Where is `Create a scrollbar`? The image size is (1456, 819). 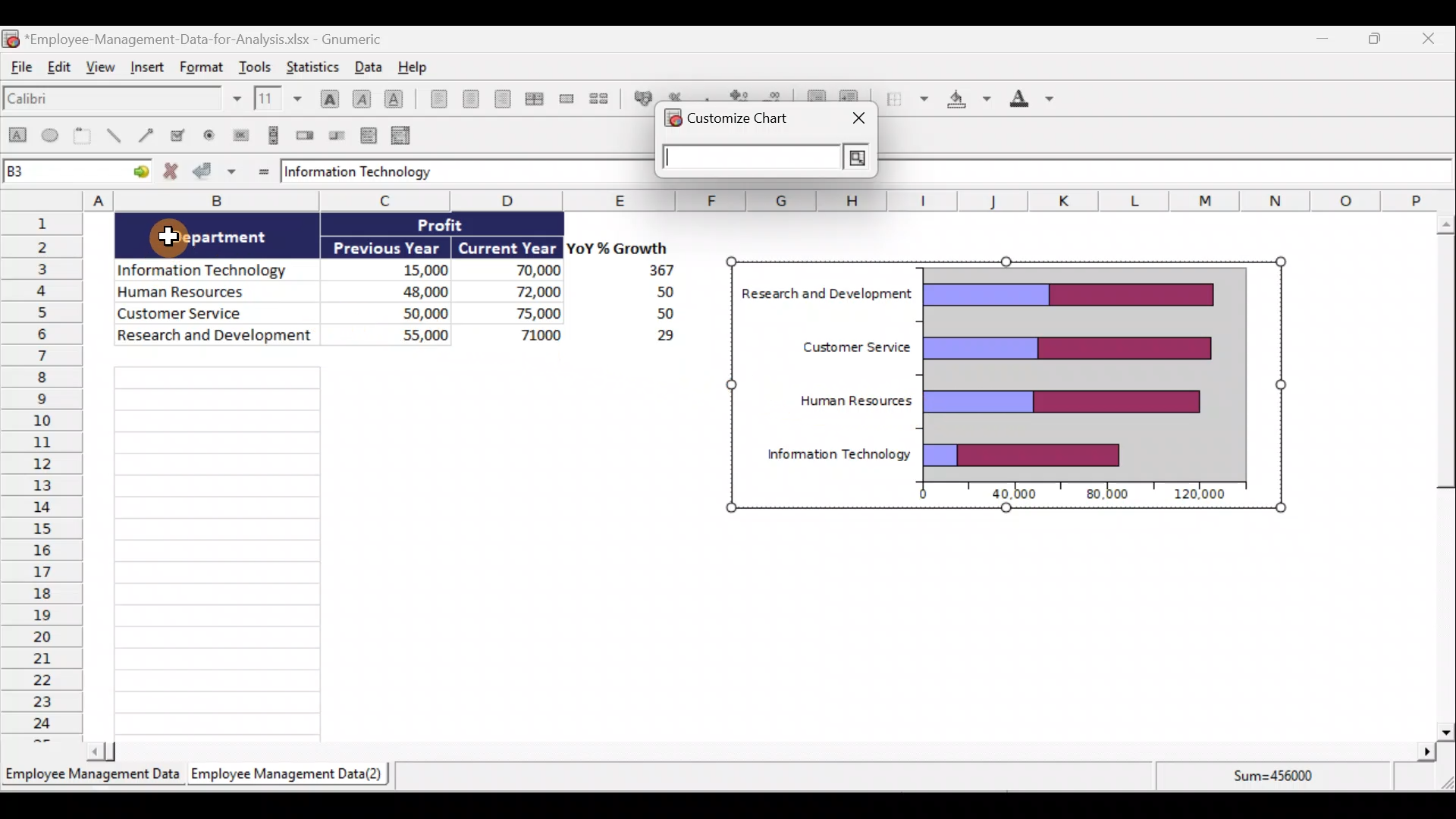
Create a scrollbar is located at coordinates (271, 135).